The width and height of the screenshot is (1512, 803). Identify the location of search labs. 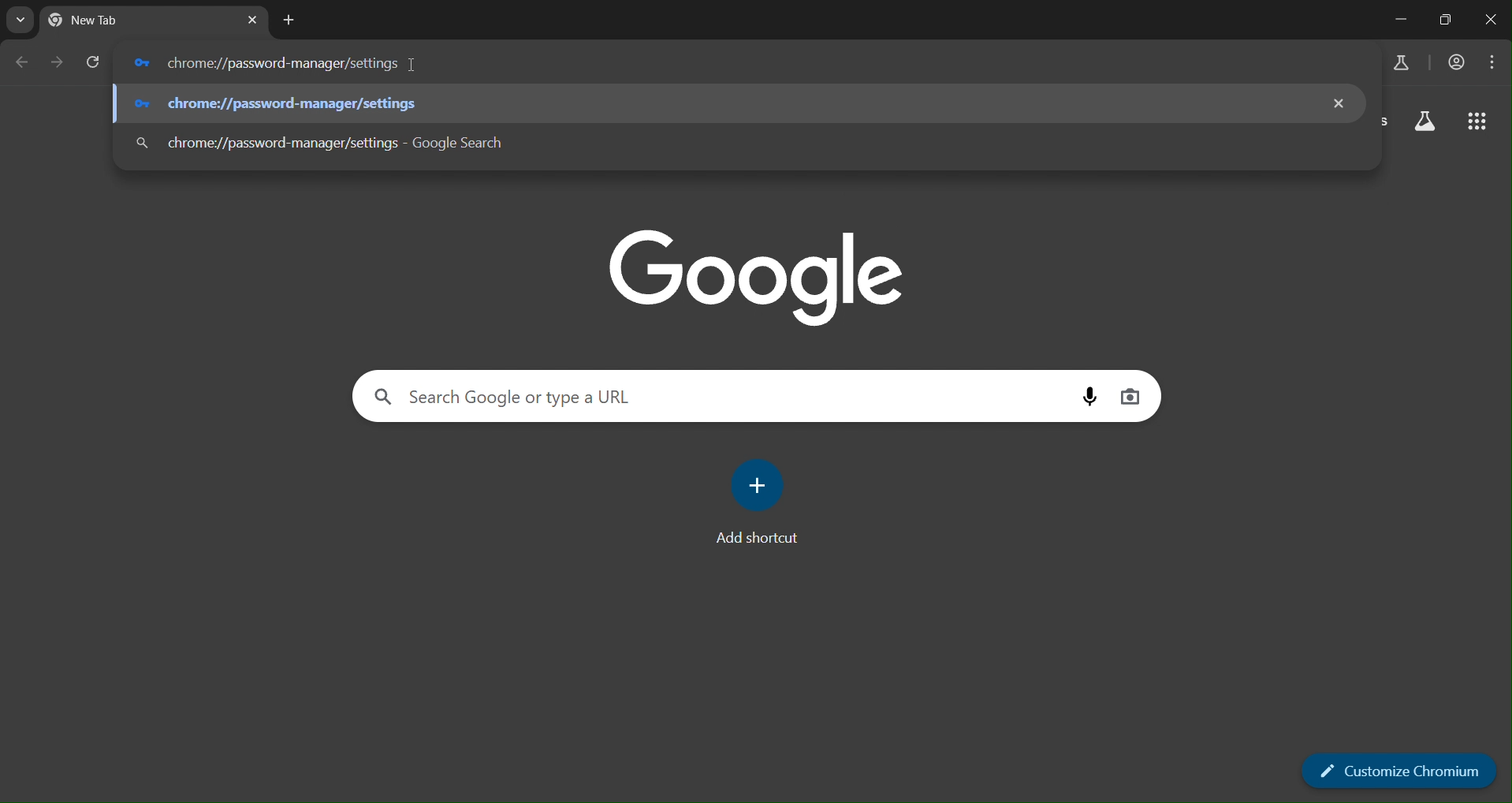
(1404, 62).